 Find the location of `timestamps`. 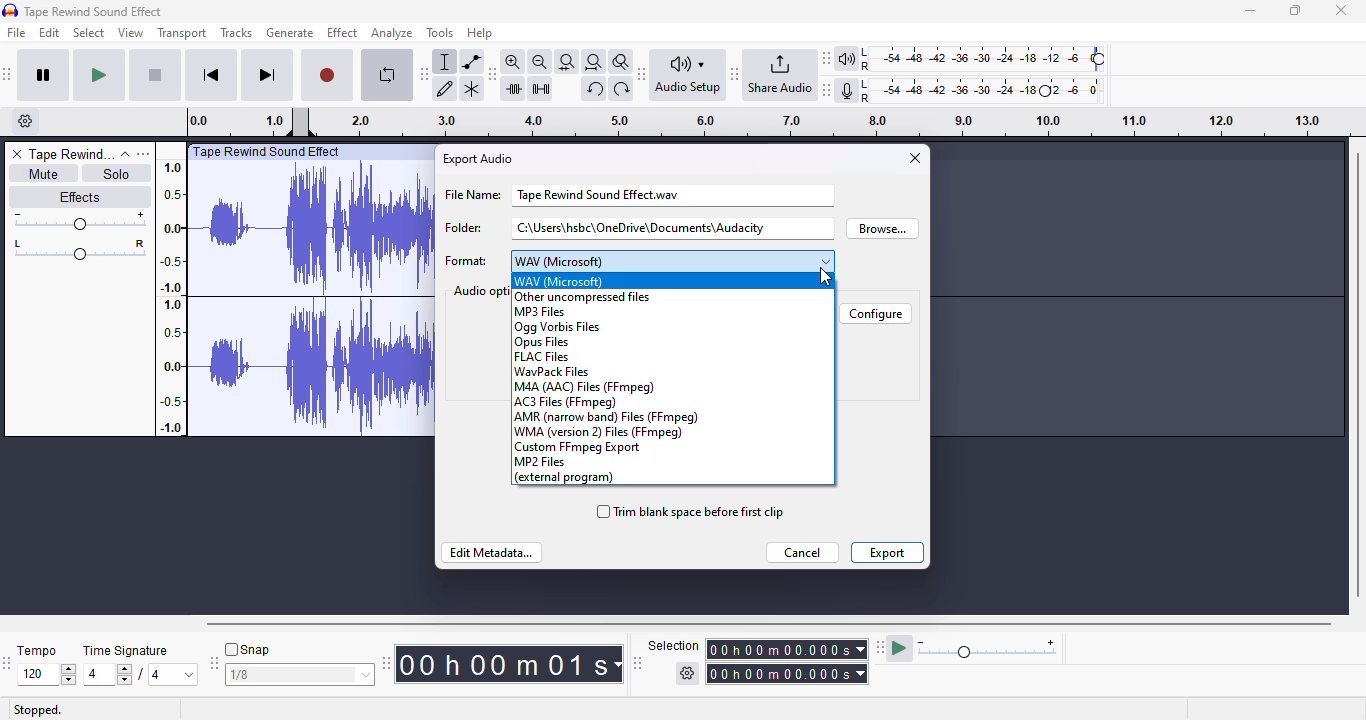

timestamps is located at coordinates (170, 296).